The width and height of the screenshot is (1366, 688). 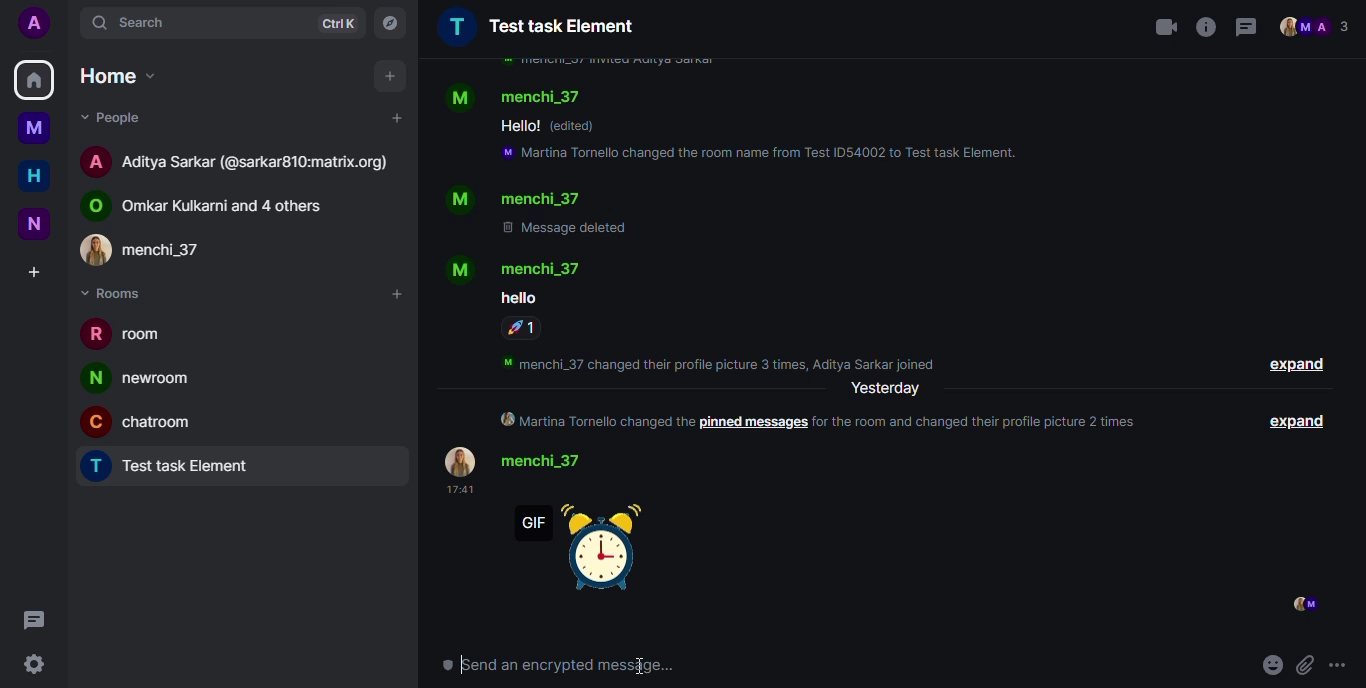 What do you see at coordinates (586, 549) in the screenshot?
I see `gif` at bounding box center [586, 549].